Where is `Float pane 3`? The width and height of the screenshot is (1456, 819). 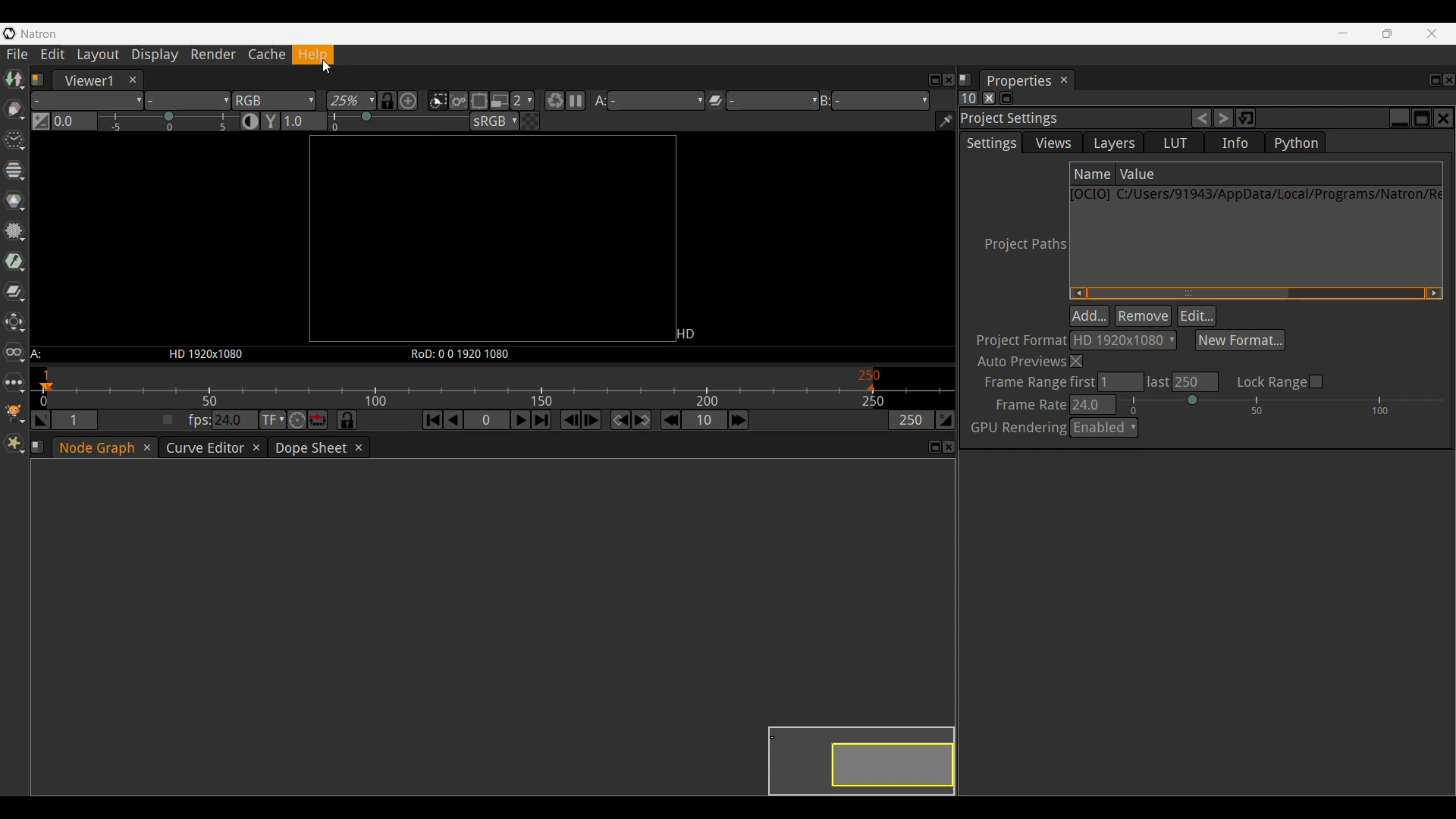 Float pane 3 is located at coordinates (934, 446).